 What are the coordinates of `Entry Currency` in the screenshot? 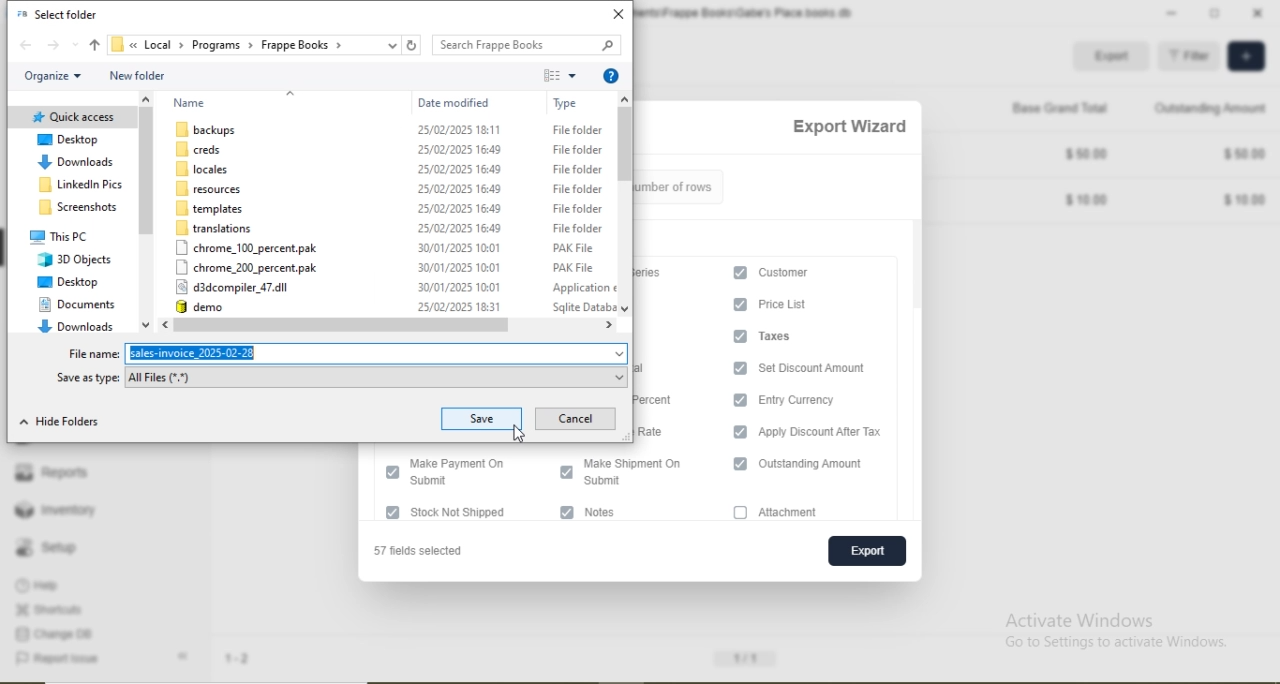 It's located at (810, 401).